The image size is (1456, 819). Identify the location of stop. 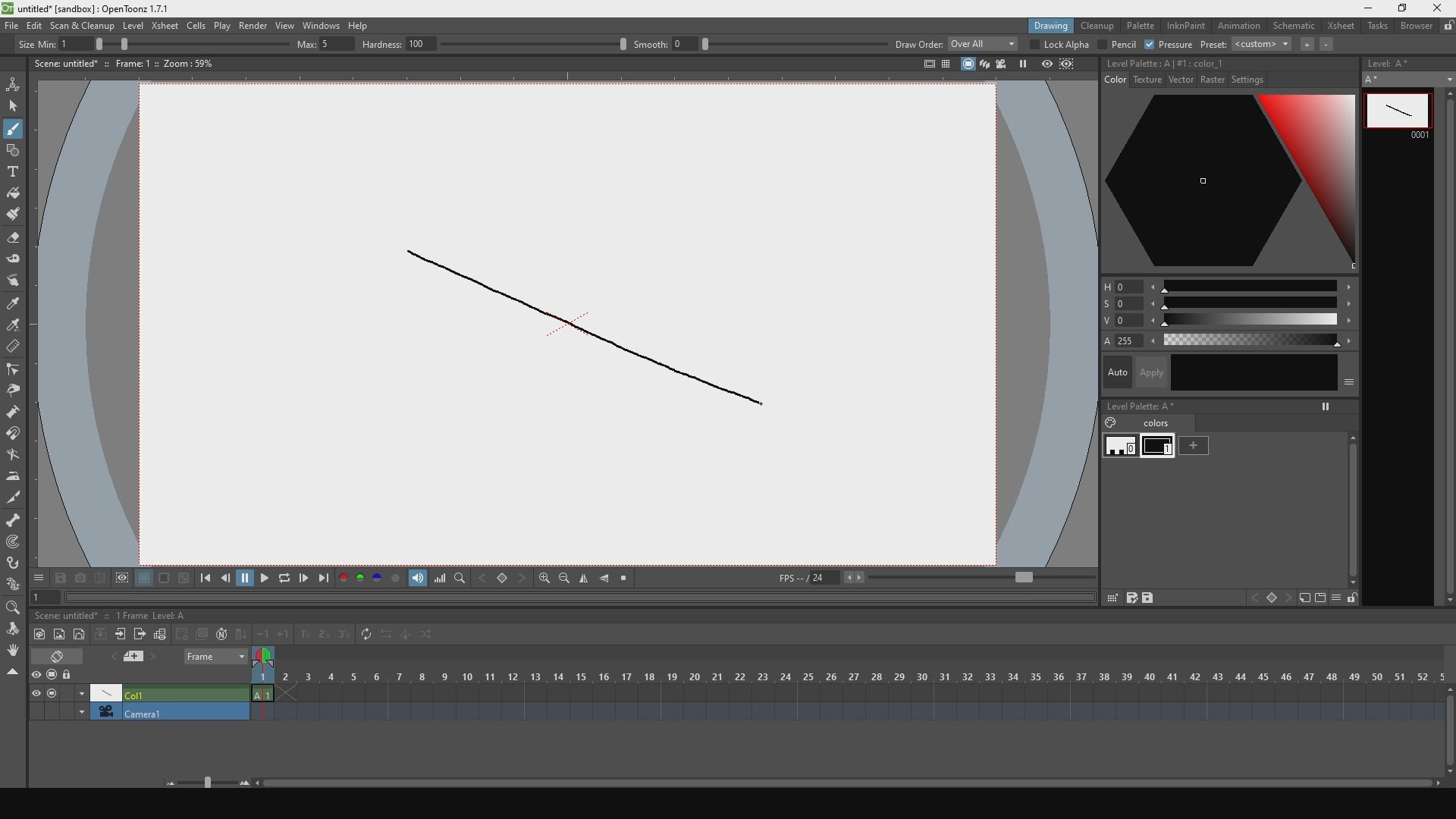
(628, 579).